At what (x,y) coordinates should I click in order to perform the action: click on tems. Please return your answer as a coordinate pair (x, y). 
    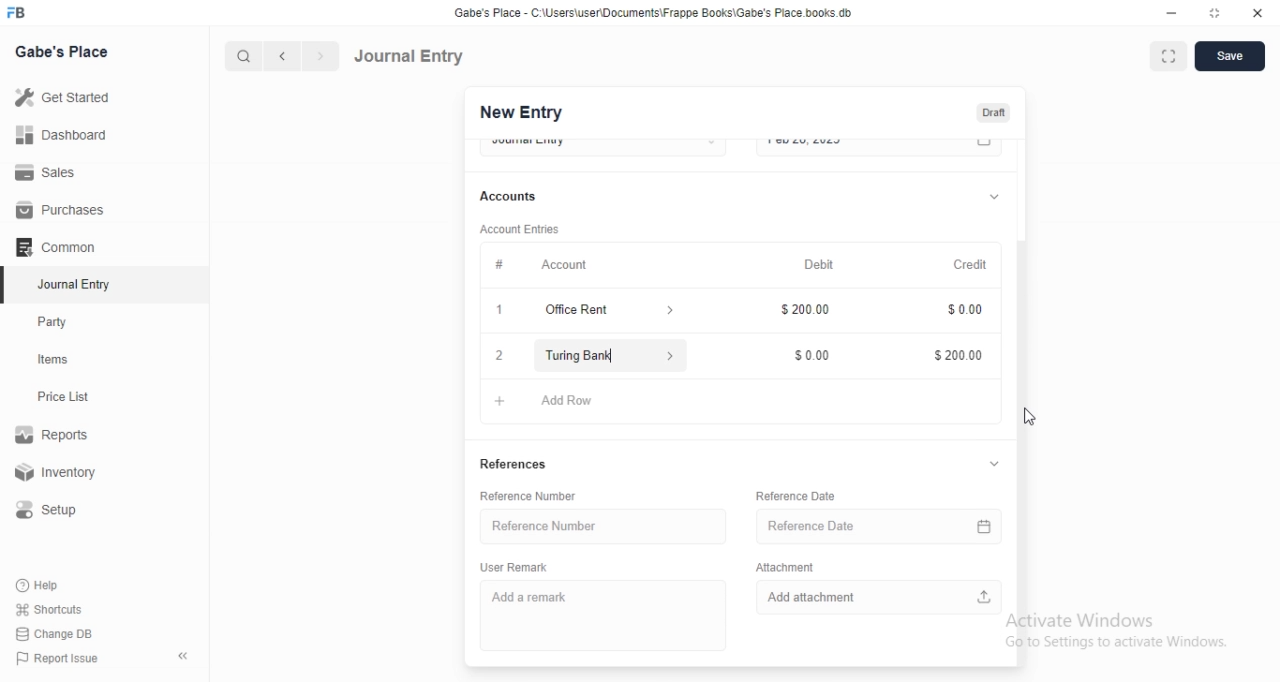
    Looking at the image, I should click on (61, 360).